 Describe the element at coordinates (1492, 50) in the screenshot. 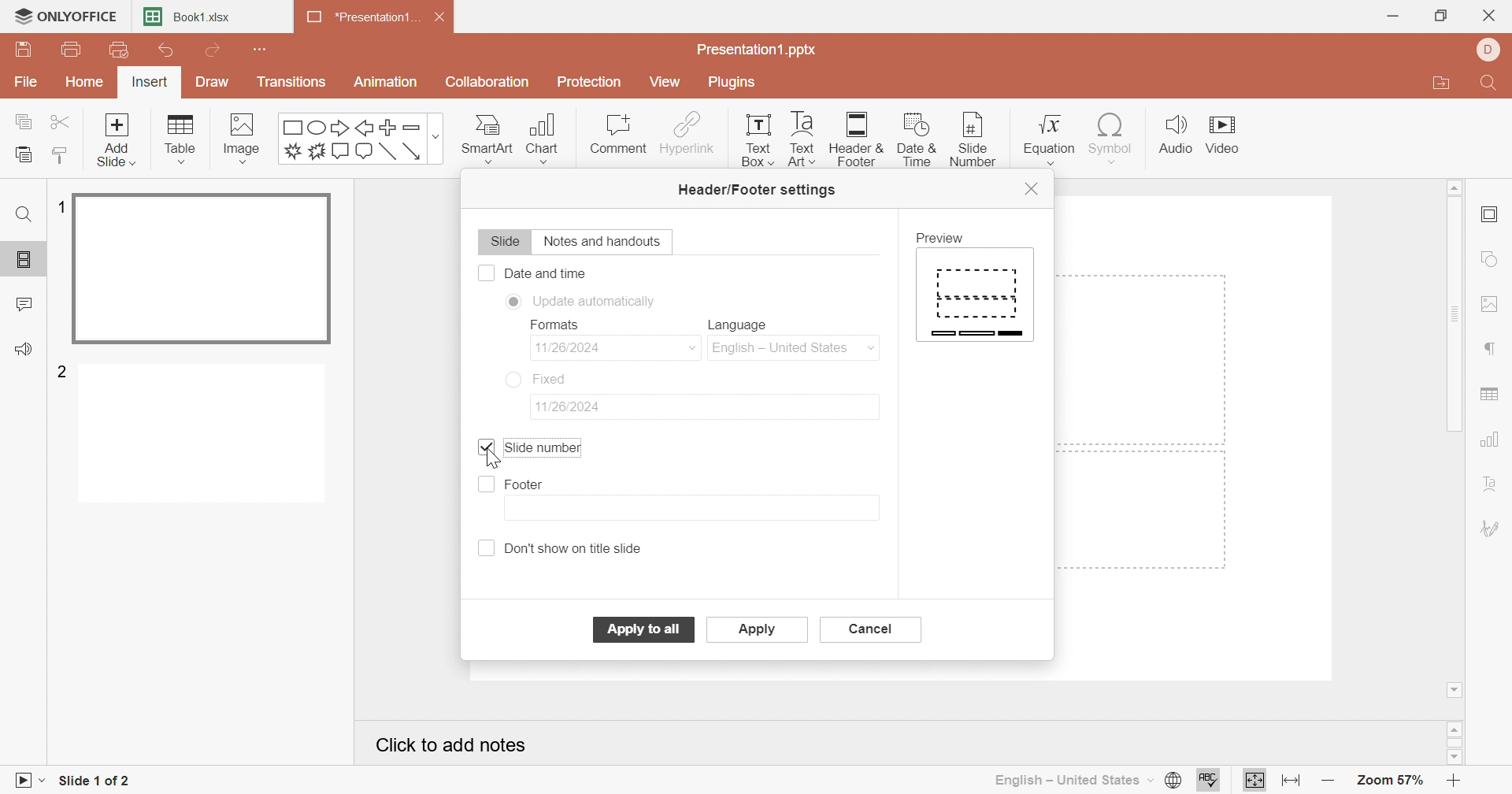

I see `DELL` at that location.